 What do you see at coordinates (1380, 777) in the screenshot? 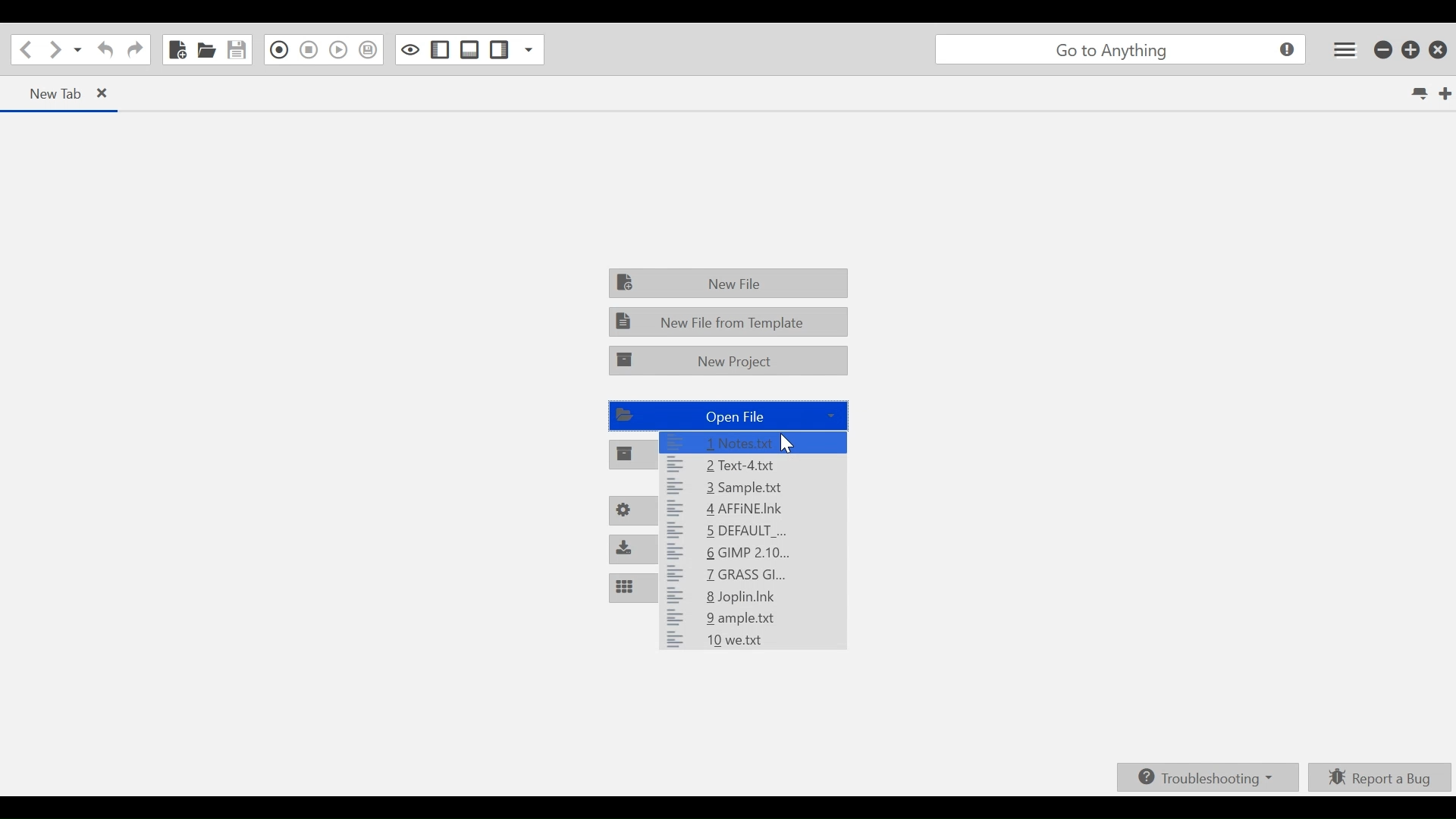
I see `Report a bUg` at bounding box center [1380, 777].